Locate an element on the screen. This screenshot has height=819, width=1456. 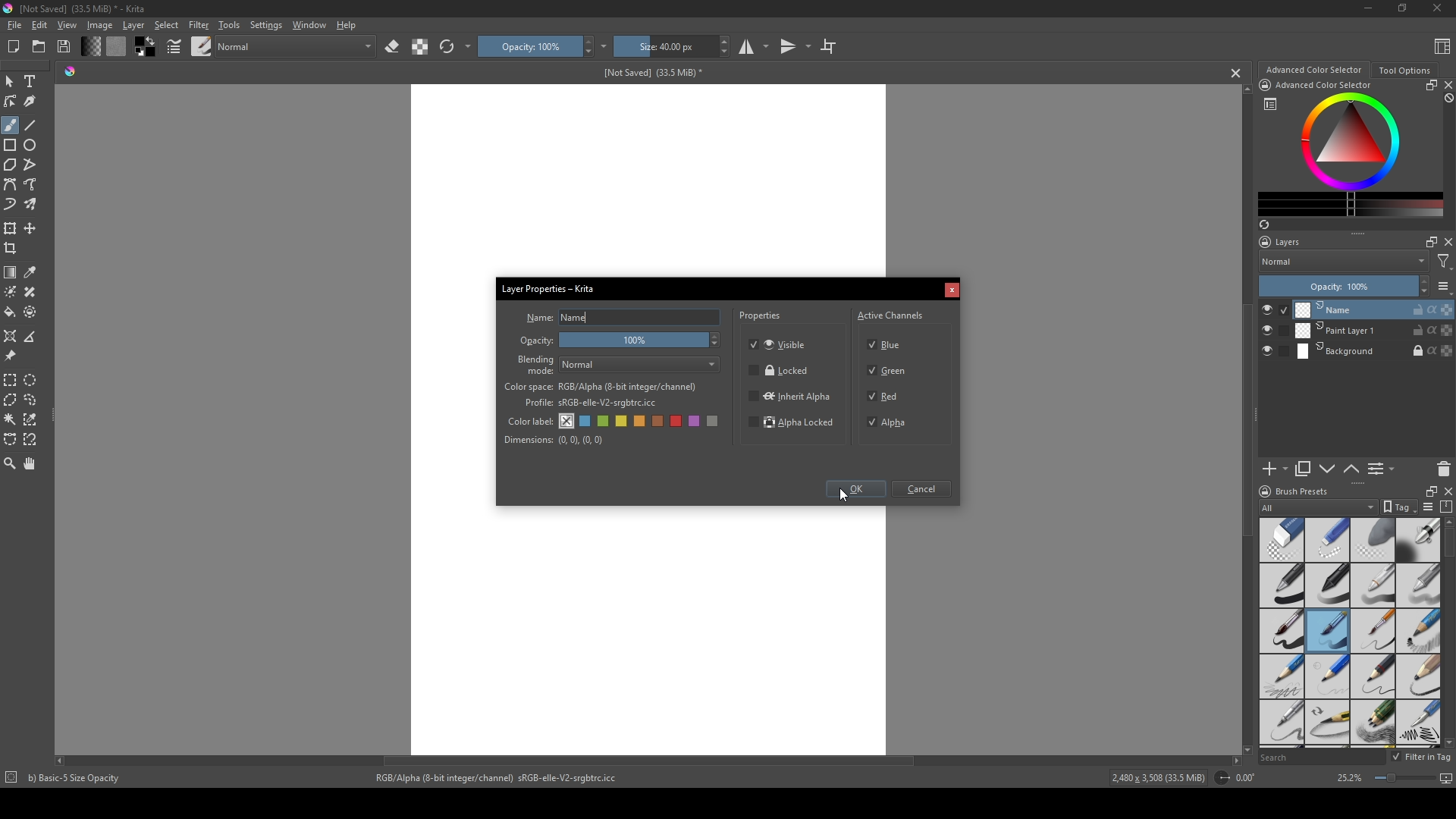
magnetic curve is located at coordinates (32, 441).